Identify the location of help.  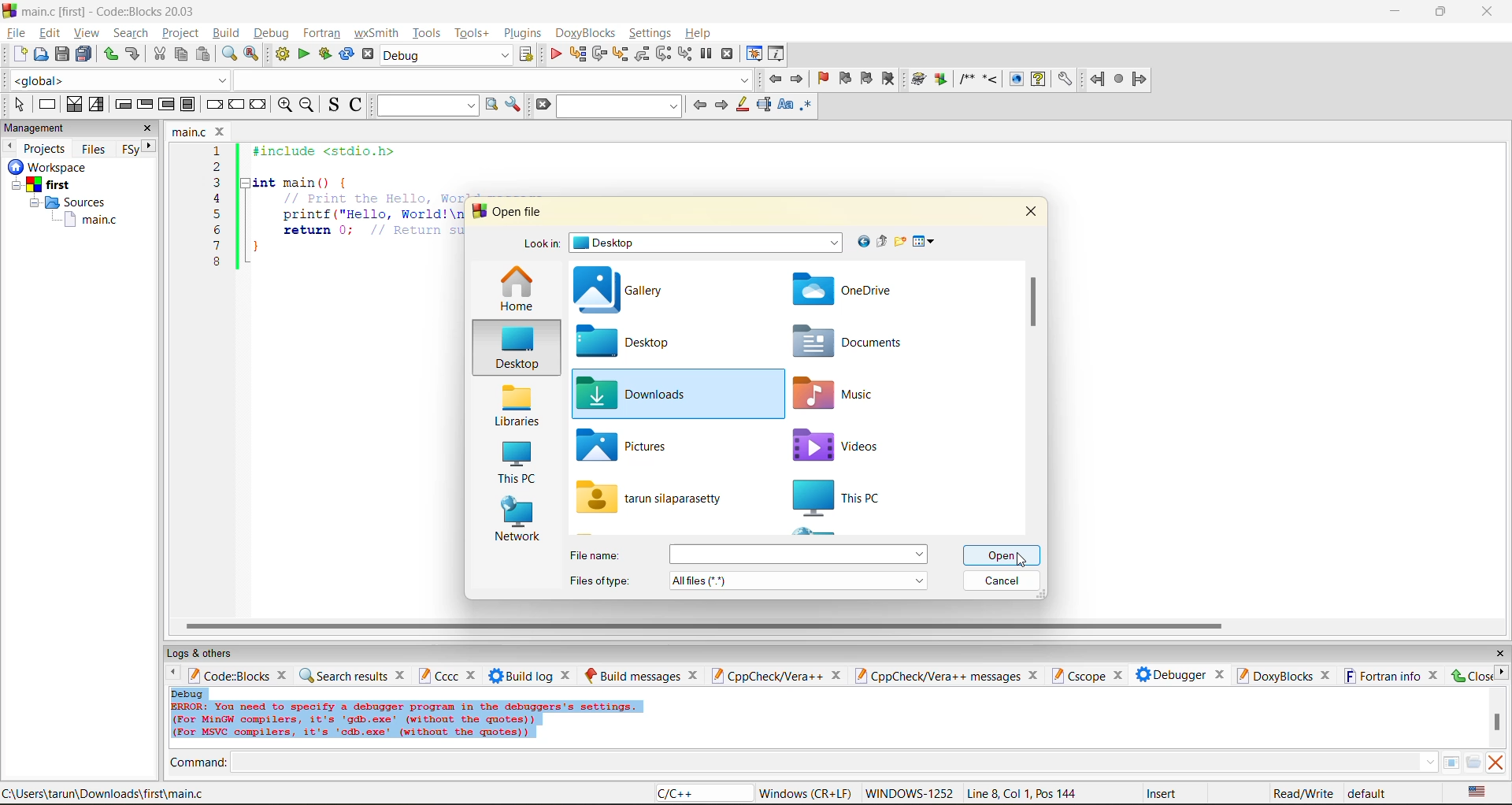
(1038, 79).